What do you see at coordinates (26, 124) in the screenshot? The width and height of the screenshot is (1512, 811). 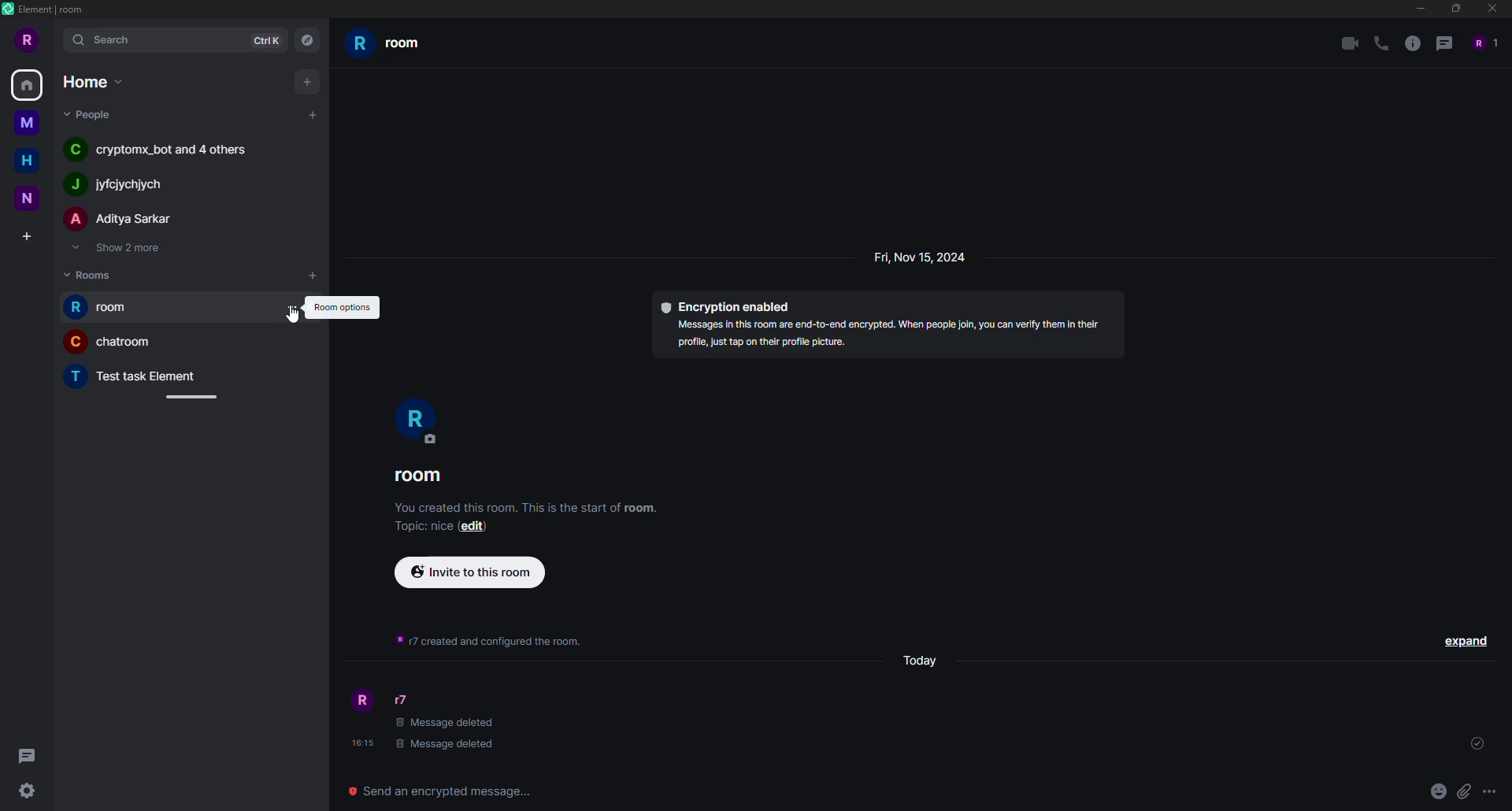 I see `m` at bounding box center [26, 124].